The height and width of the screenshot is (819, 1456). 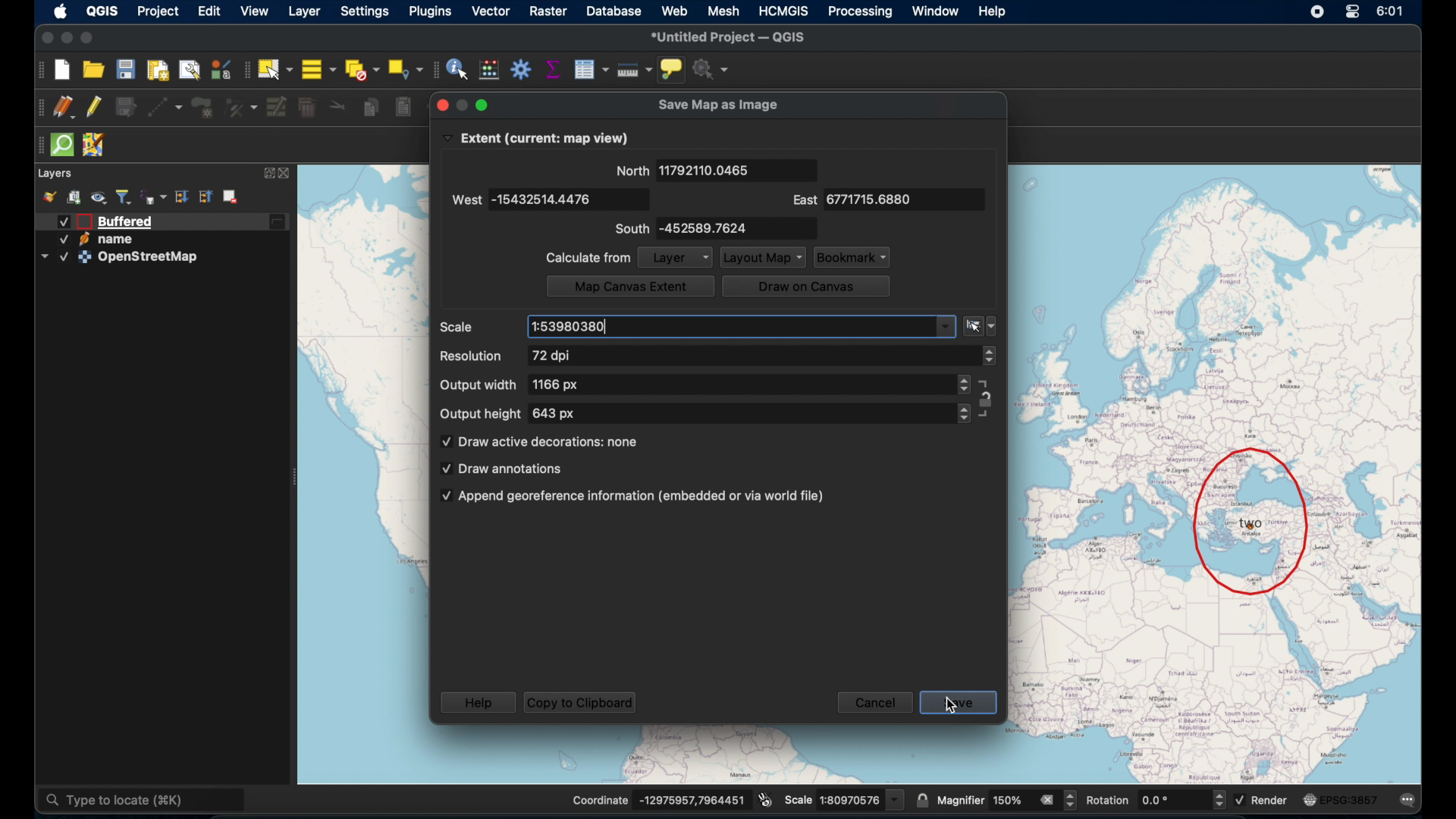 What do you see at coordinates (61, 240) in the screenshot?
I see `Checked checkbox` at bounding box center [61, 240].